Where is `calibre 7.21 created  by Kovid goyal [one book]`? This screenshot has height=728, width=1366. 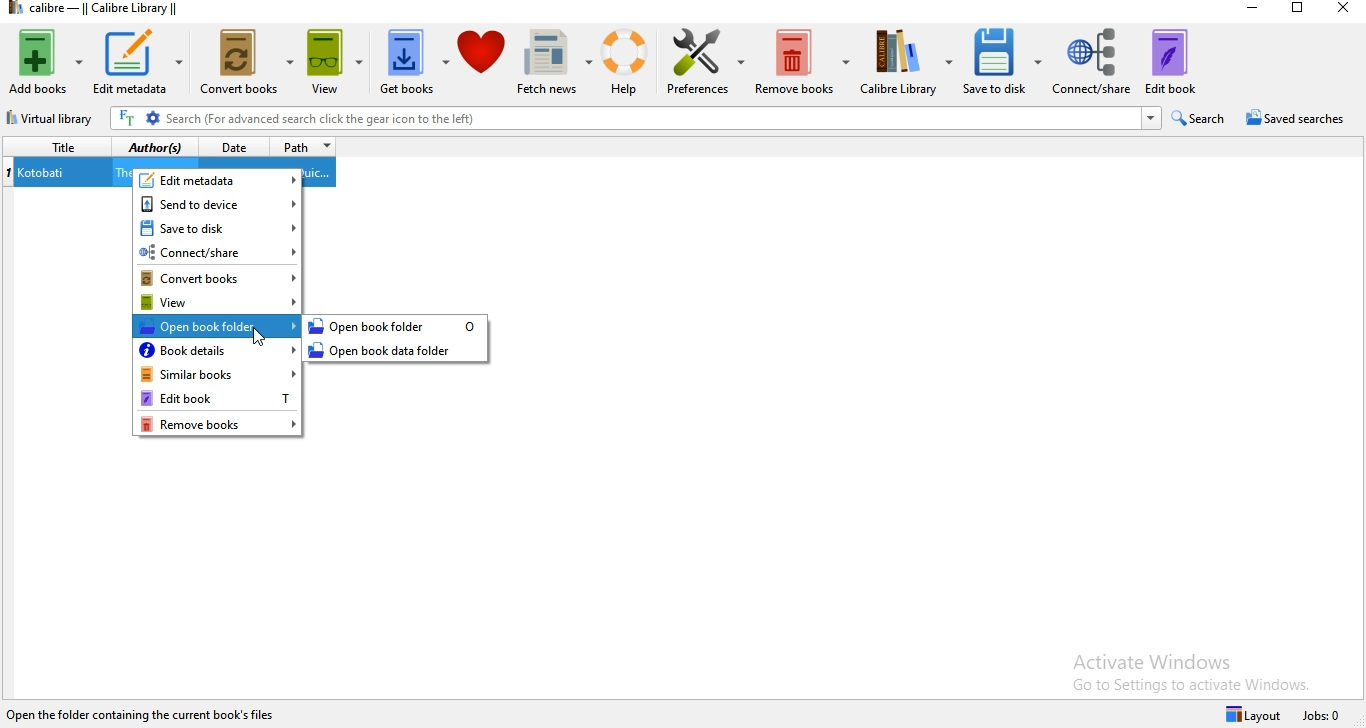 calibre 7.21 created  by Kovid goyal [one book] is located at coordinates (145, 712).